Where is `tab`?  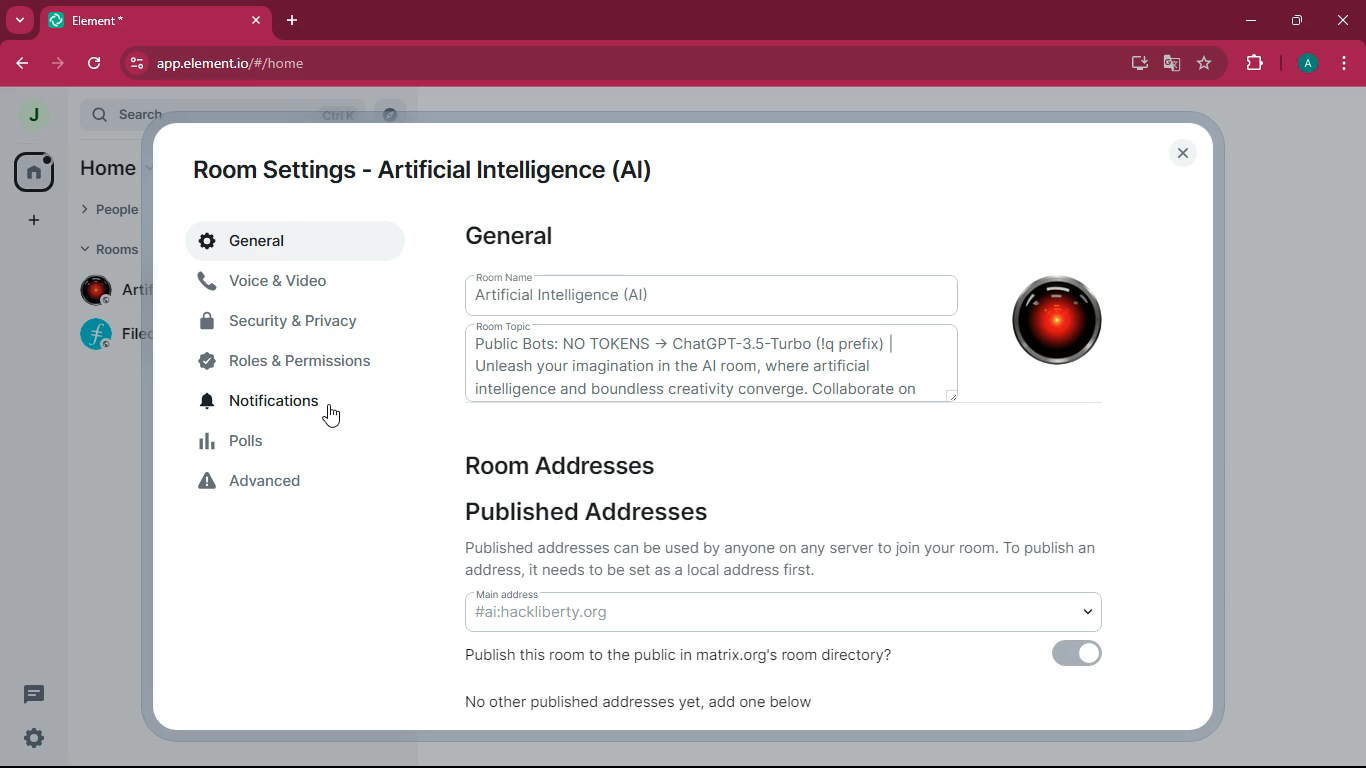 tab is located at coordinates (161, 24).